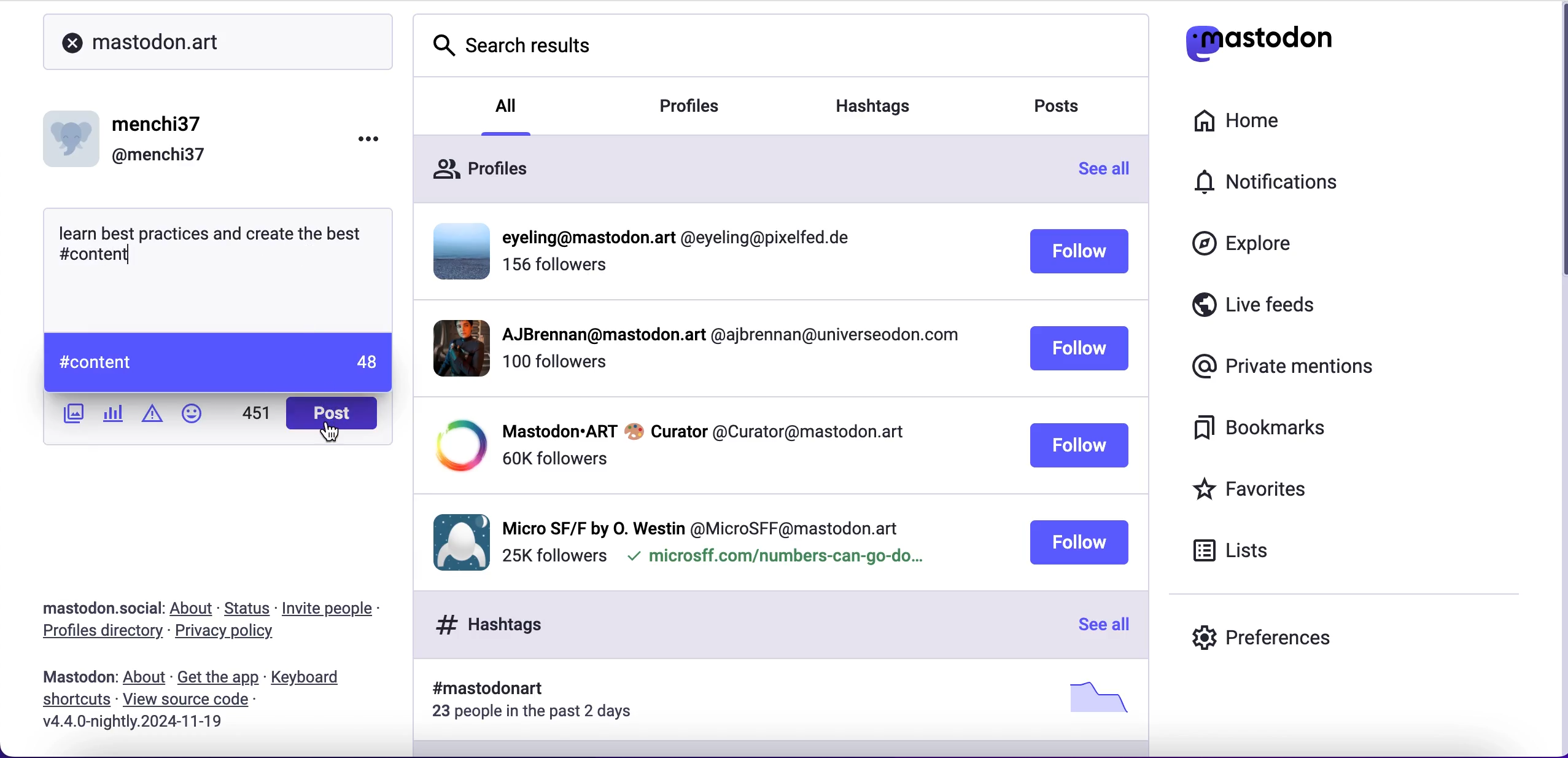 This screenshot has width=1568, height=758. What do you see at coordinates (451, 347) in the screenshot?
I see `display picture` at bounding box center [451, 347].